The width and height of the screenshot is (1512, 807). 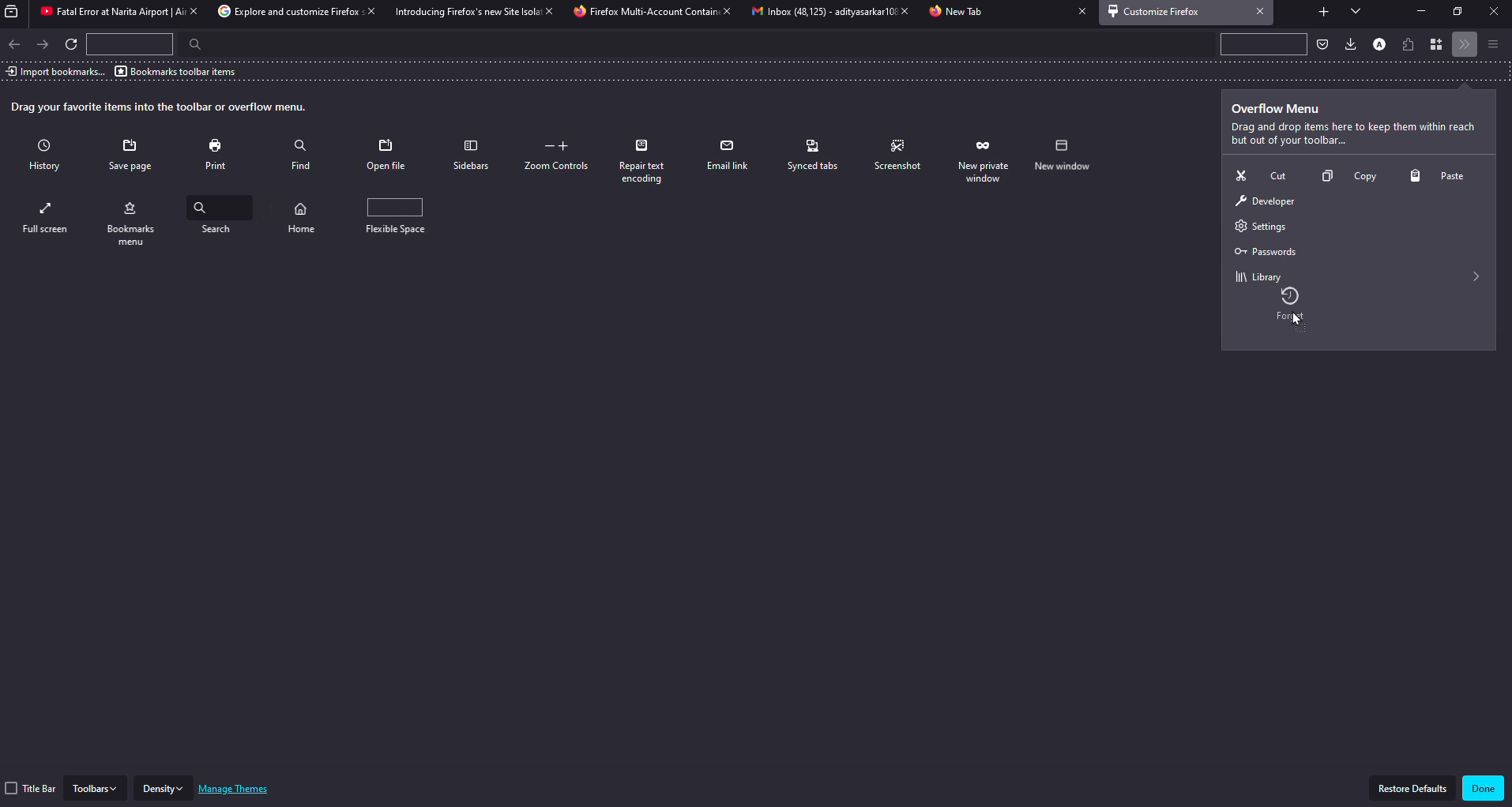 What do you see at coordinates (900, 11) in the screenshot?
I see `close` at bounding box center [900, 11].